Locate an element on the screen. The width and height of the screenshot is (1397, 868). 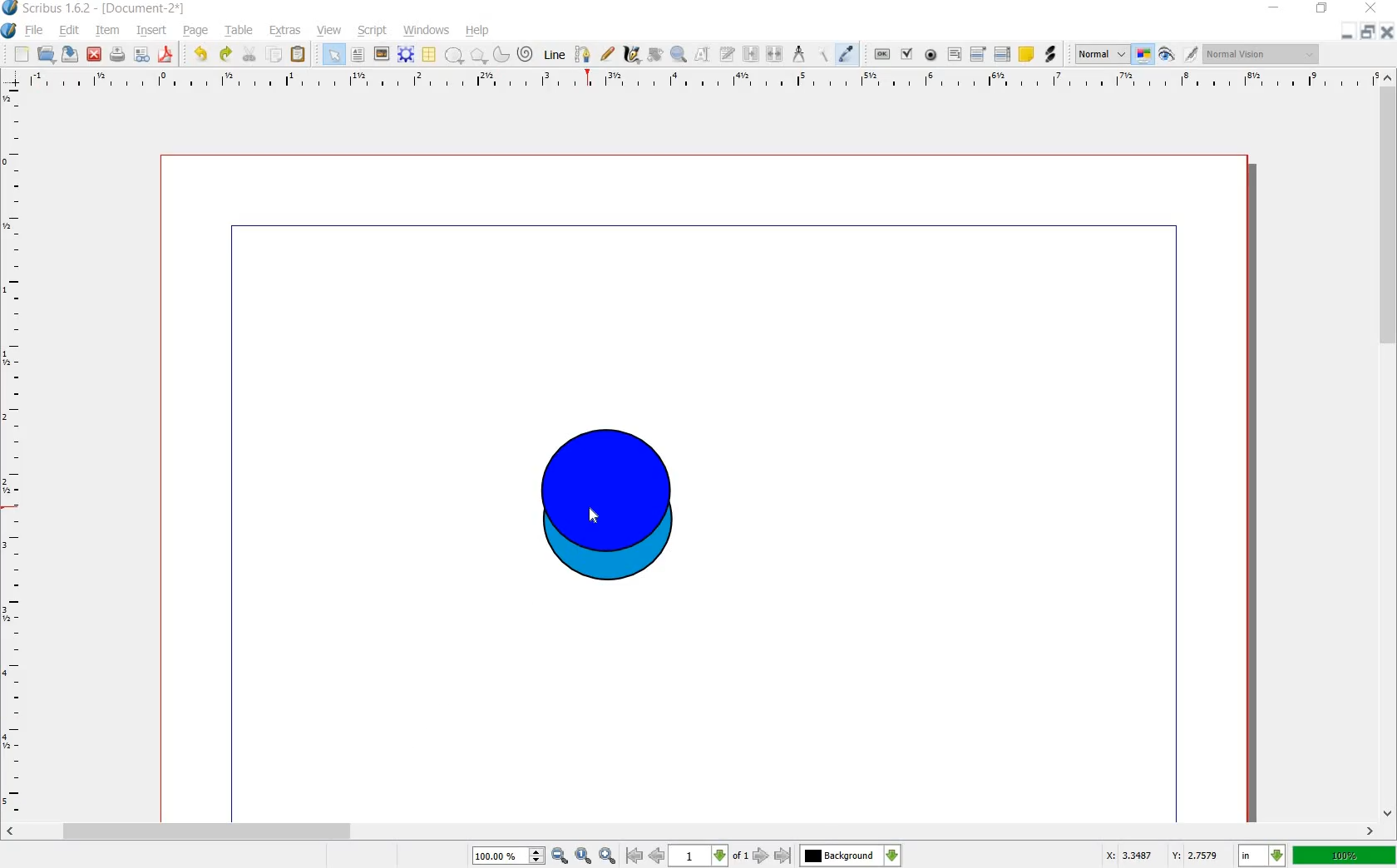
save is located at coordinates (70, 54).